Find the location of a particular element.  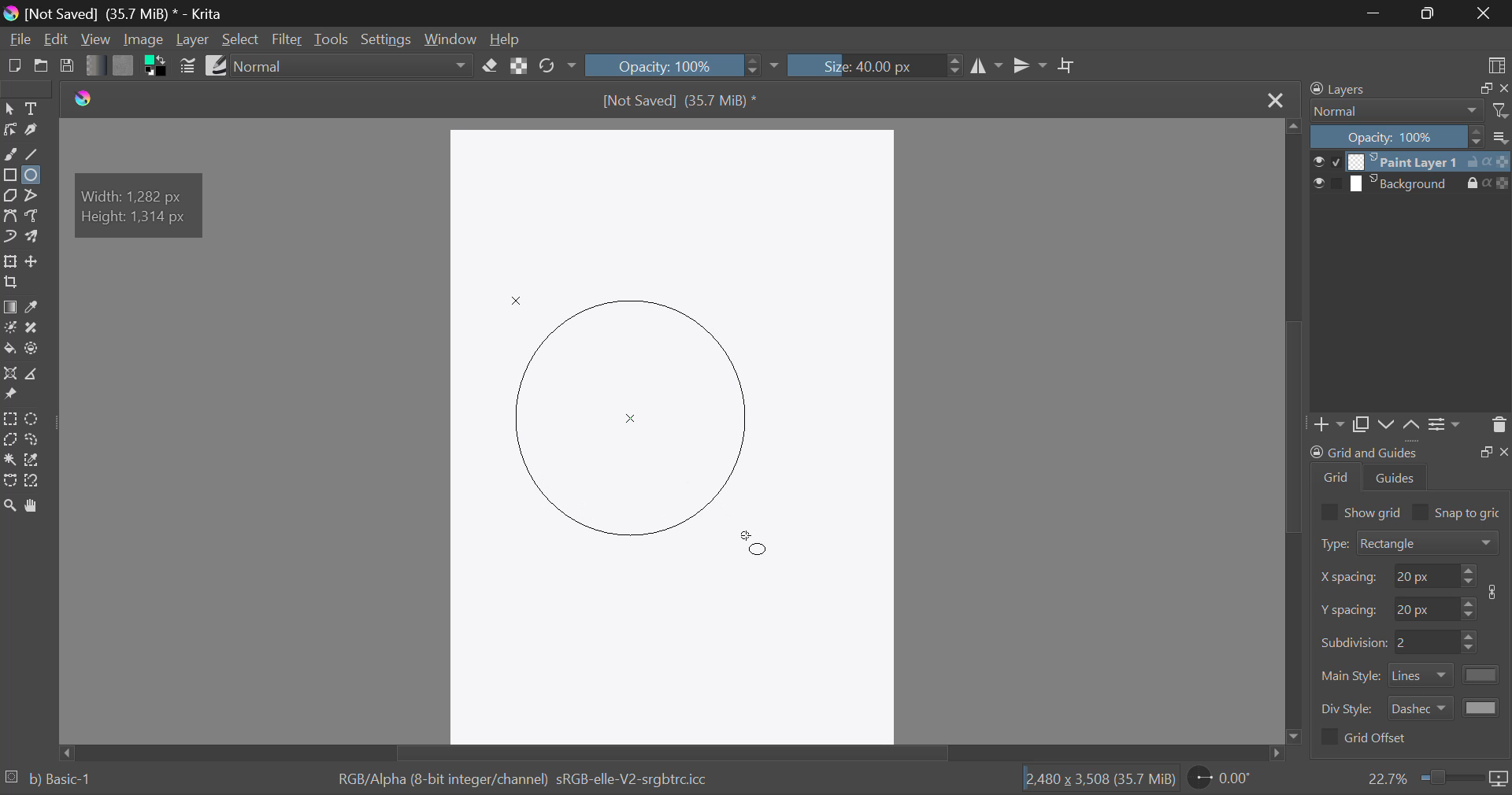

height: 1314 px is located at coordinates (141, 218).